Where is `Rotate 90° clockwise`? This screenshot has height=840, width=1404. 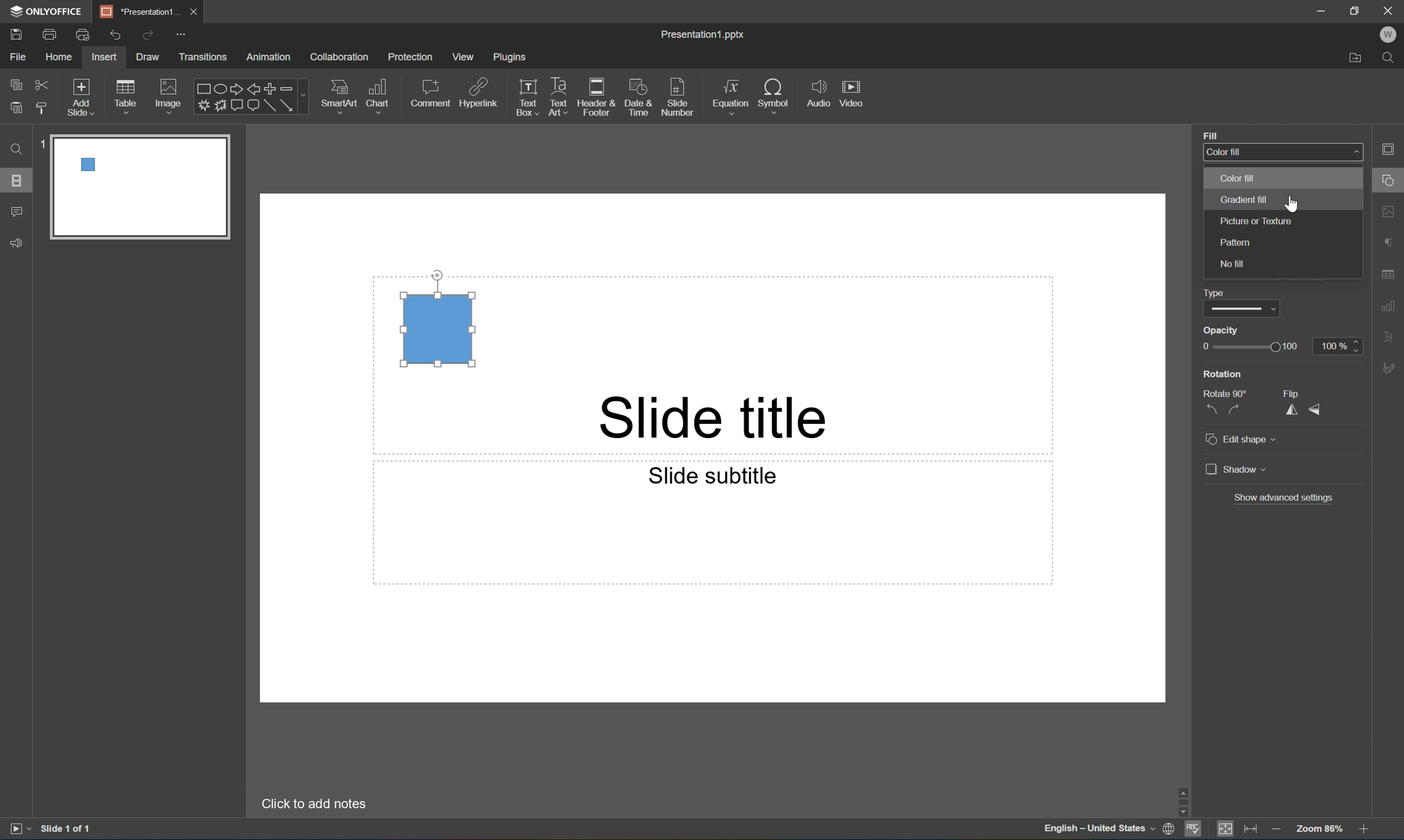 Rotate 90° clockwise is located at coordinates (1236, 411).